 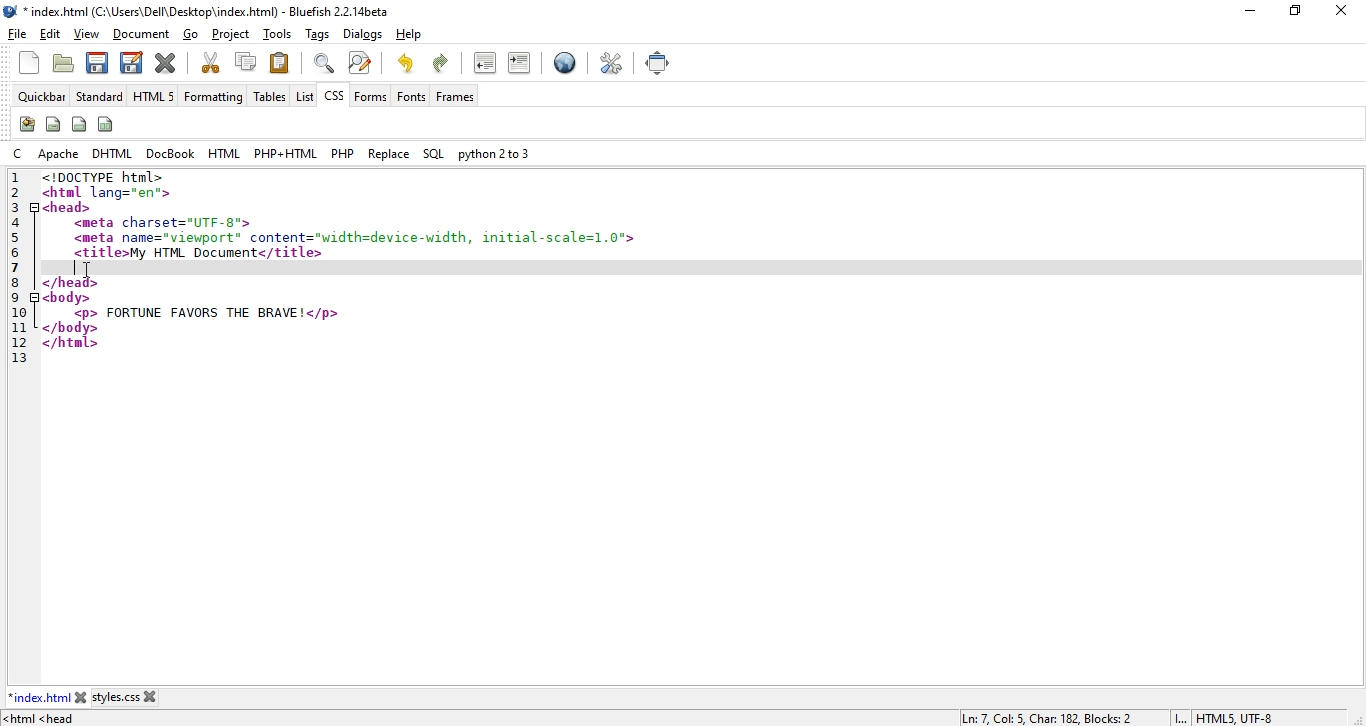 I want to click on cut, so click(x=211, y=62).